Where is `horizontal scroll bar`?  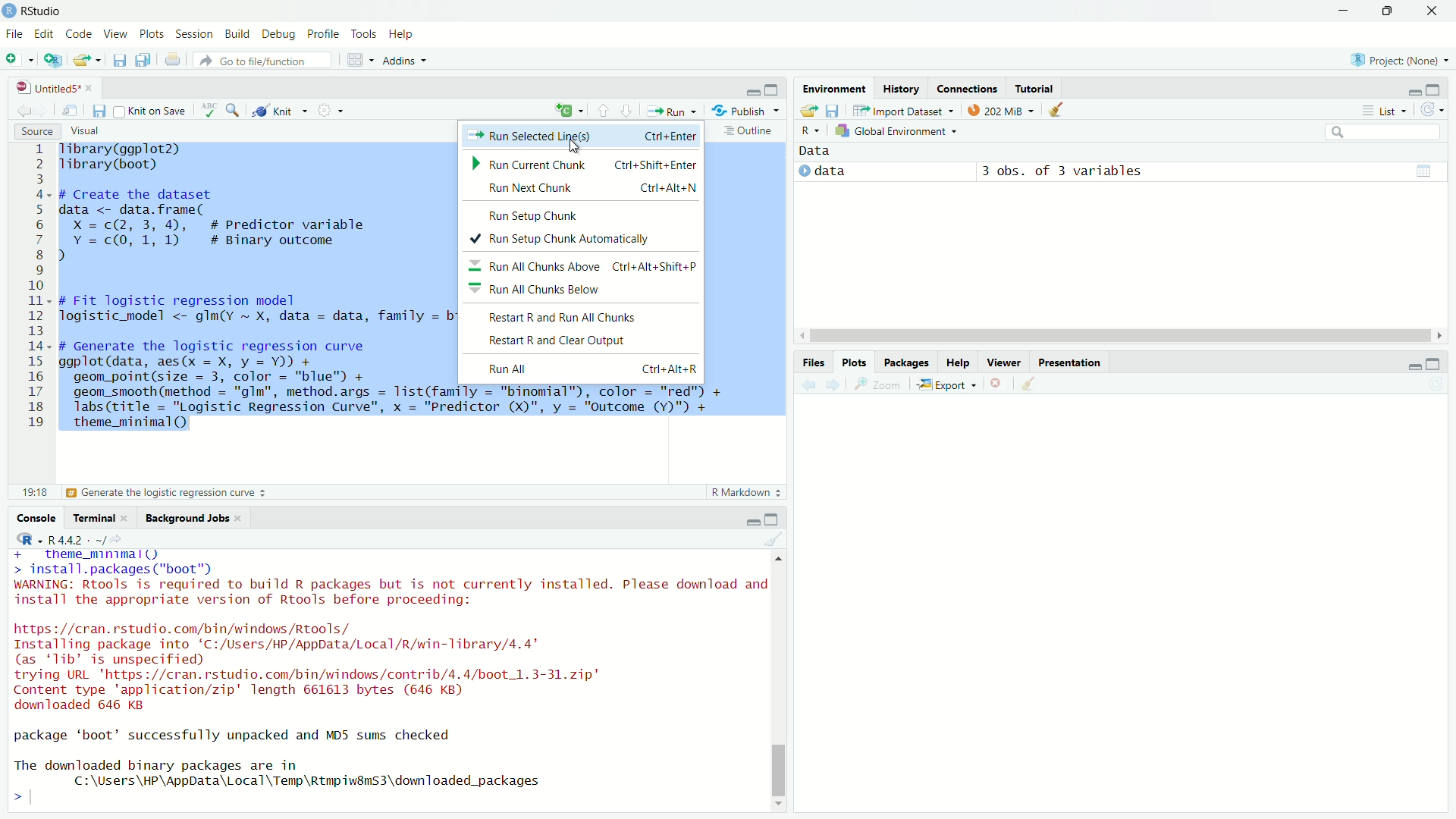
horizontal scroll bar is located at coordinates (1121, 336).